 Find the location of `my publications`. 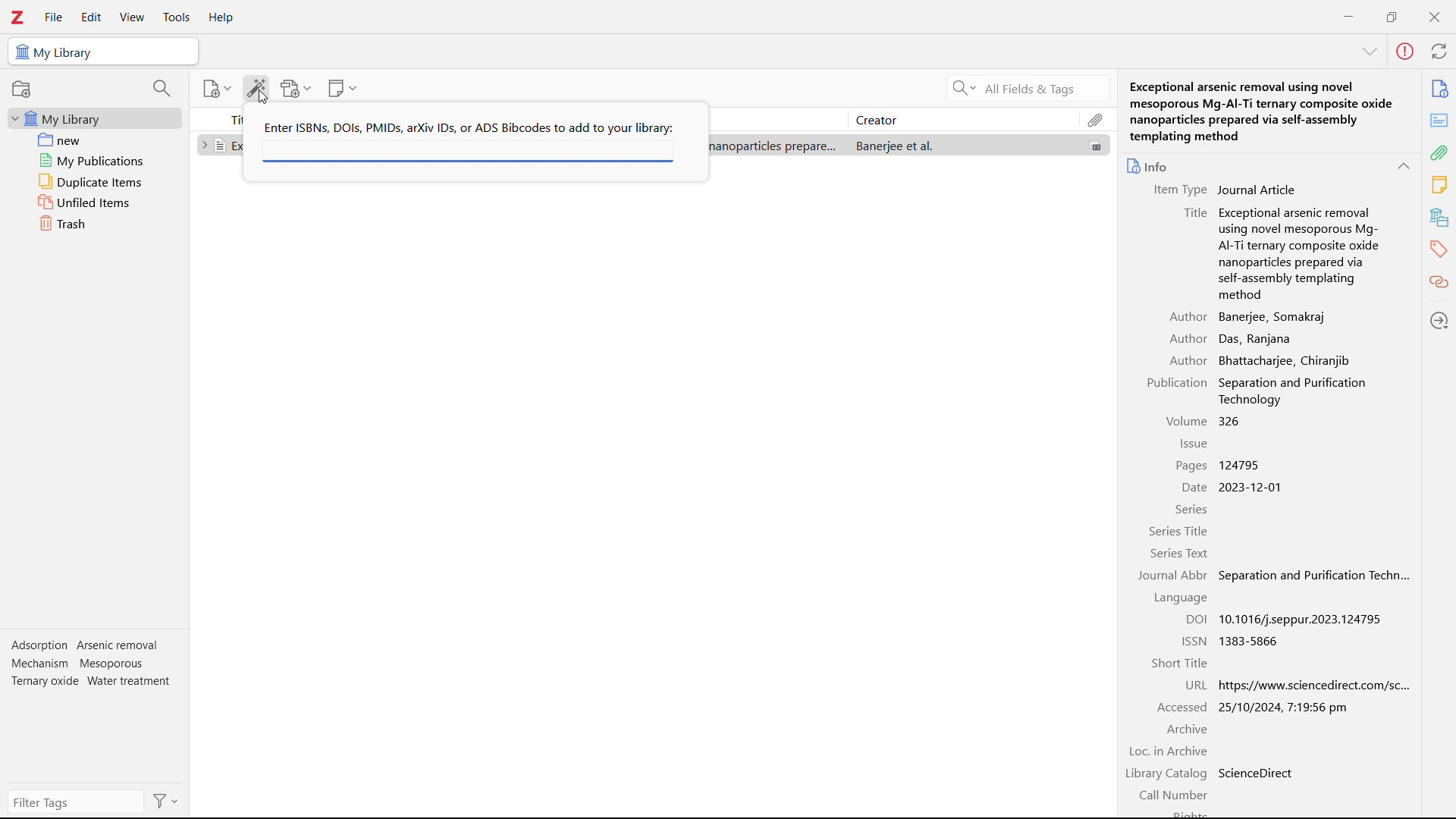

my publications is located at coordinates (96, 160).